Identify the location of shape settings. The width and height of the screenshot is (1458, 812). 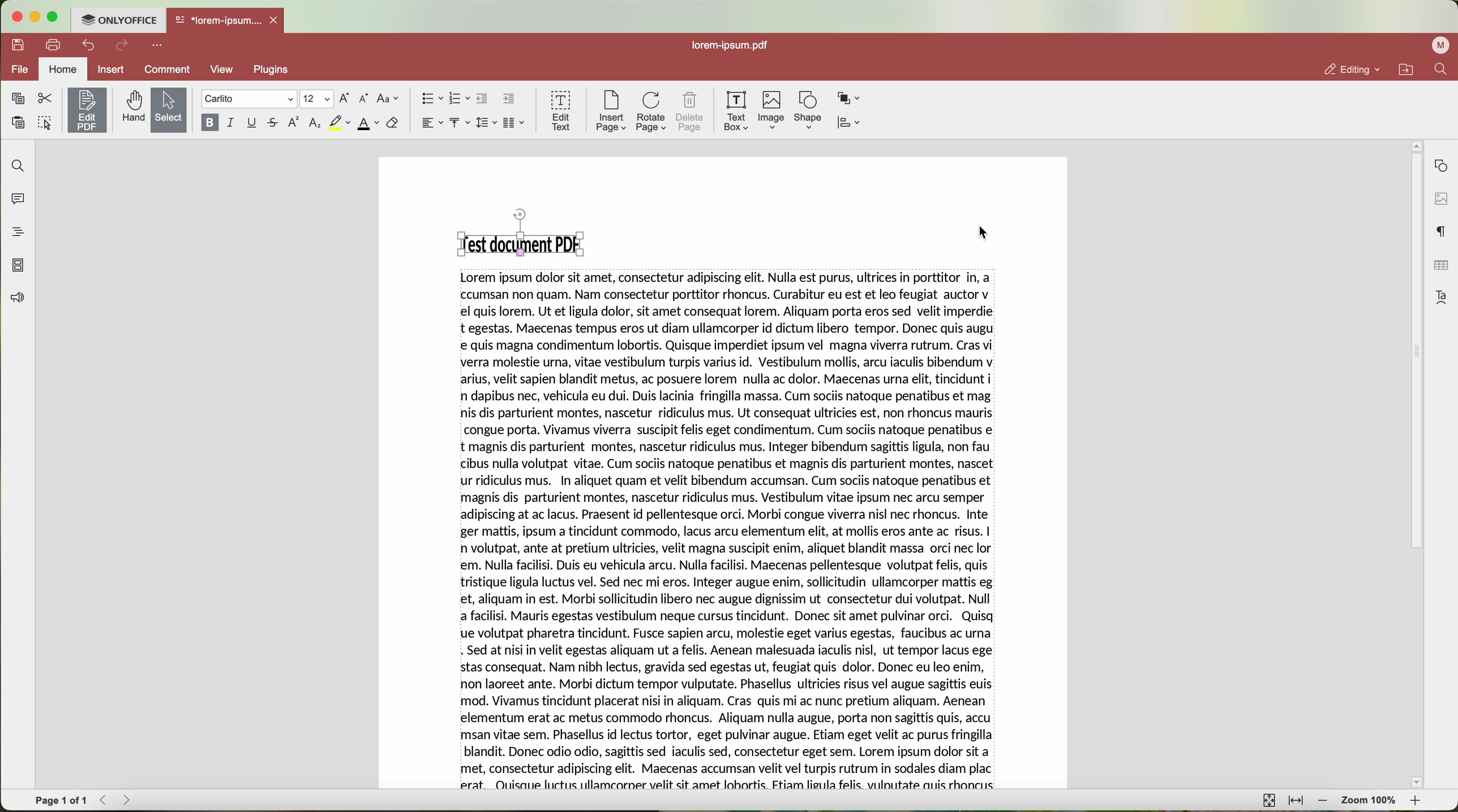
(1440, 163).